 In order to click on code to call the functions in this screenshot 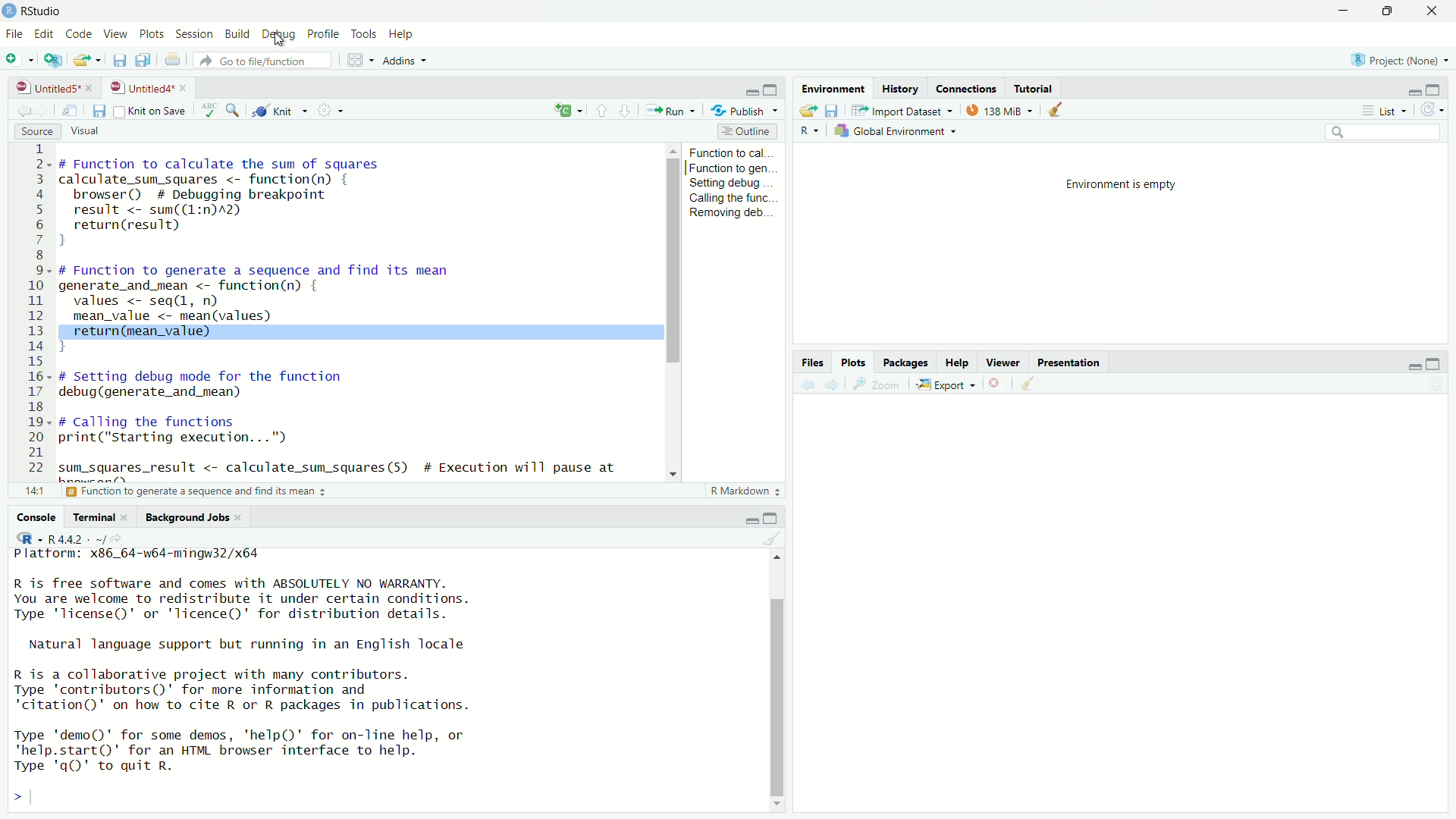, I will do `click(190, 431)`.